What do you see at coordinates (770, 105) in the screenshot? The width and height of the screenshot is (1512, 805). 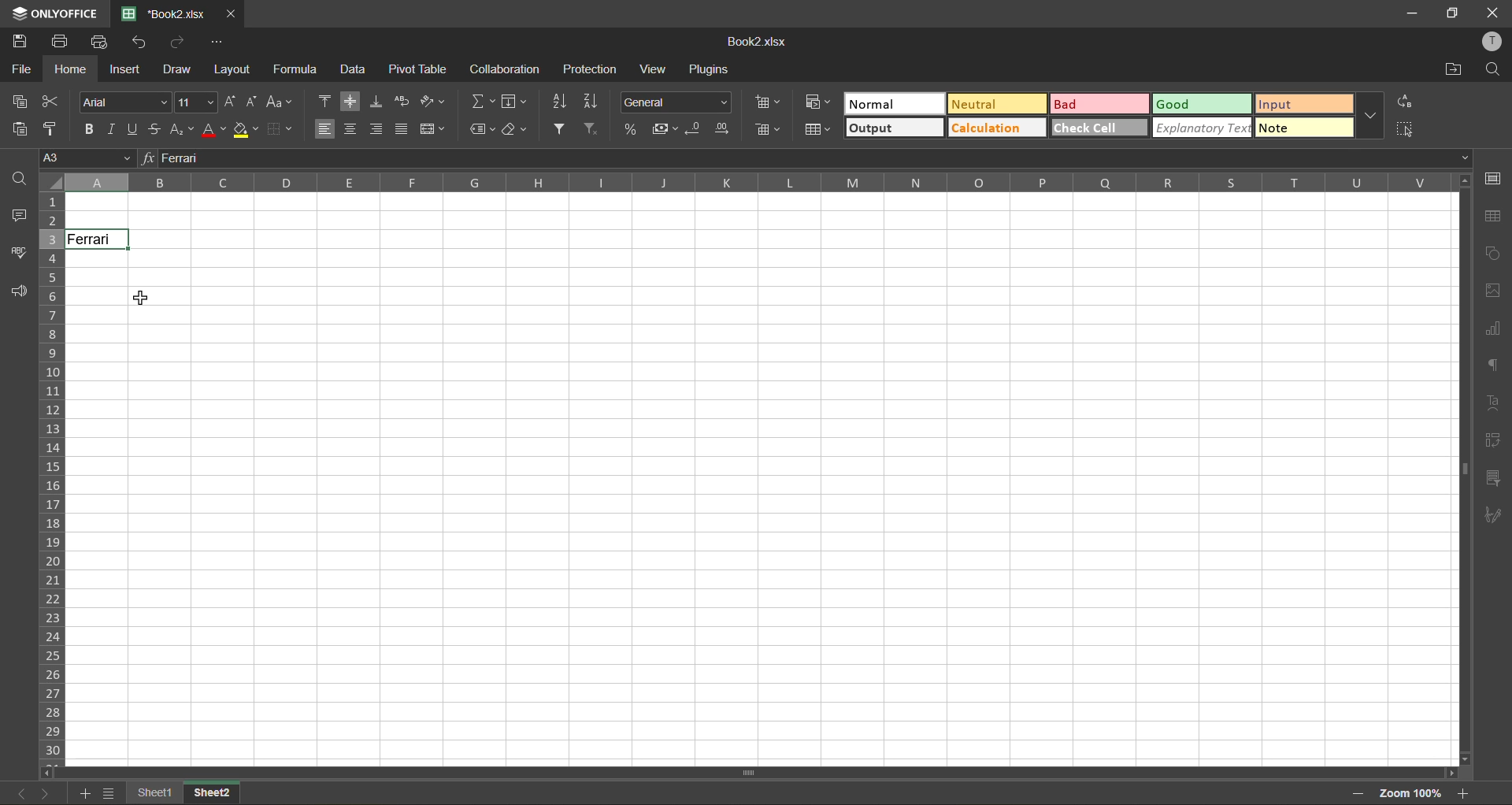 I see `insert cells` at bounding box center [770, 105].